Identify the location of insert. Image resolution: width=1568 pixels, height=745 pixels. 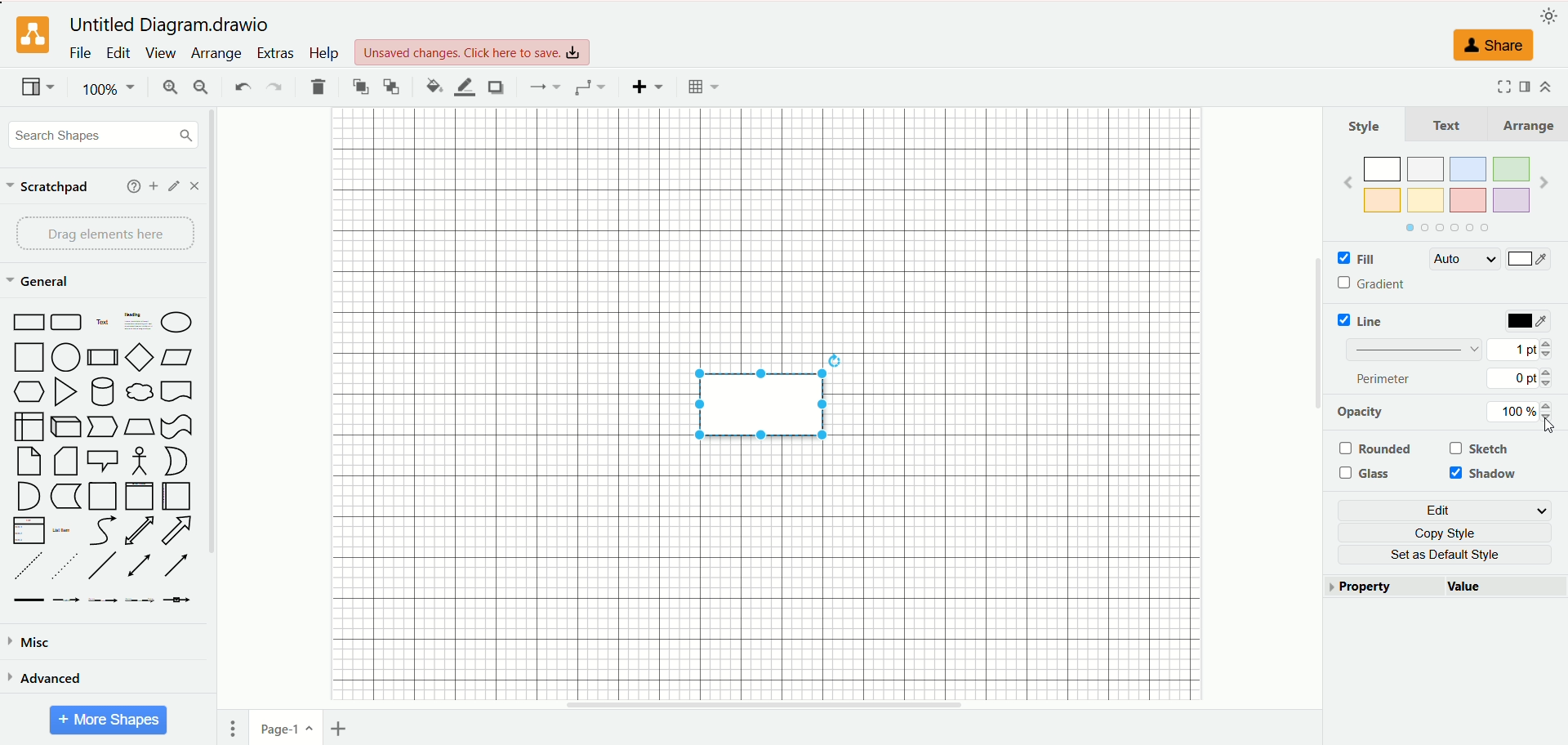
(648, 87).